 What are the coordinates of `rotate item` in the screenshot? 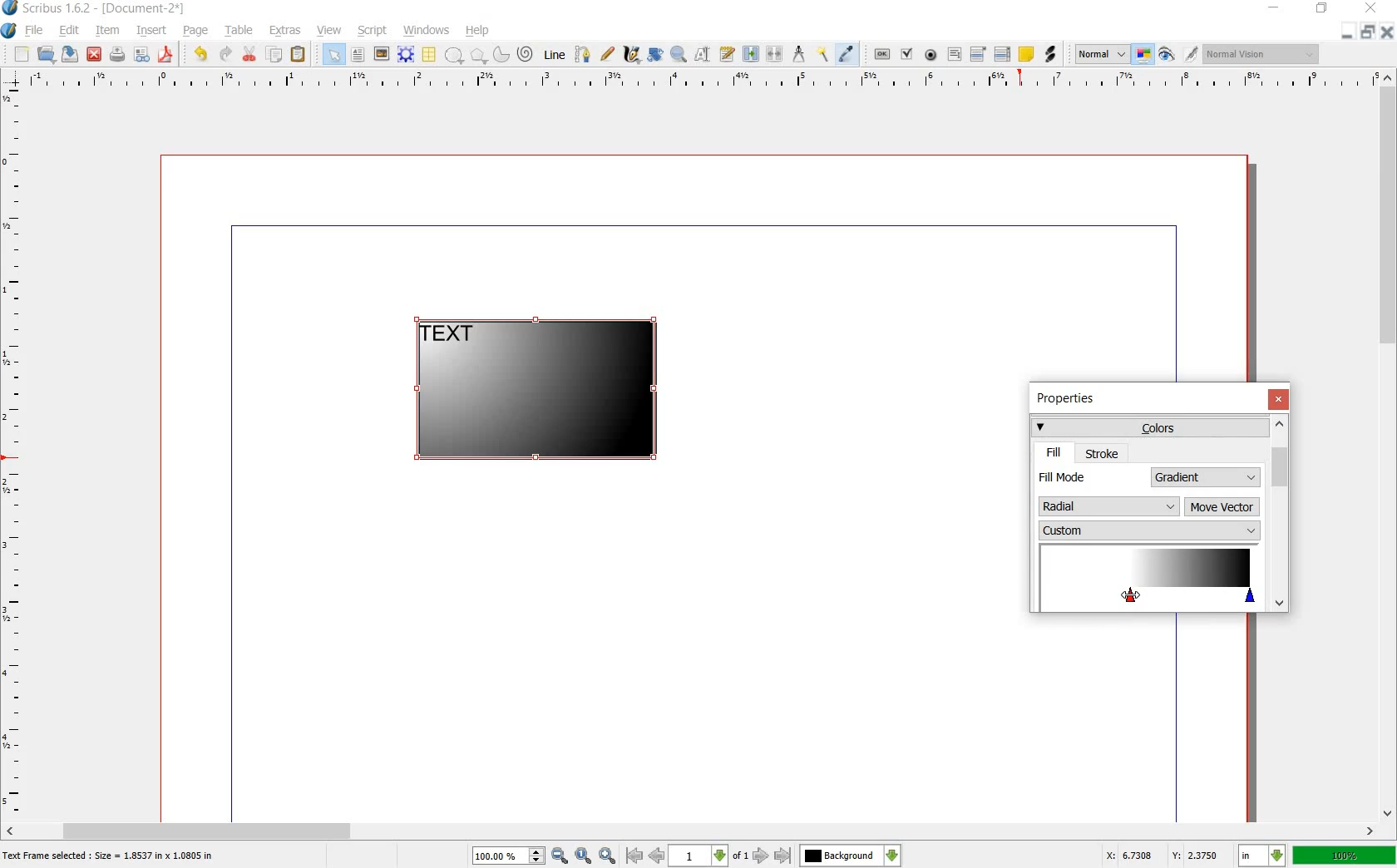 It's located at (656, 55).